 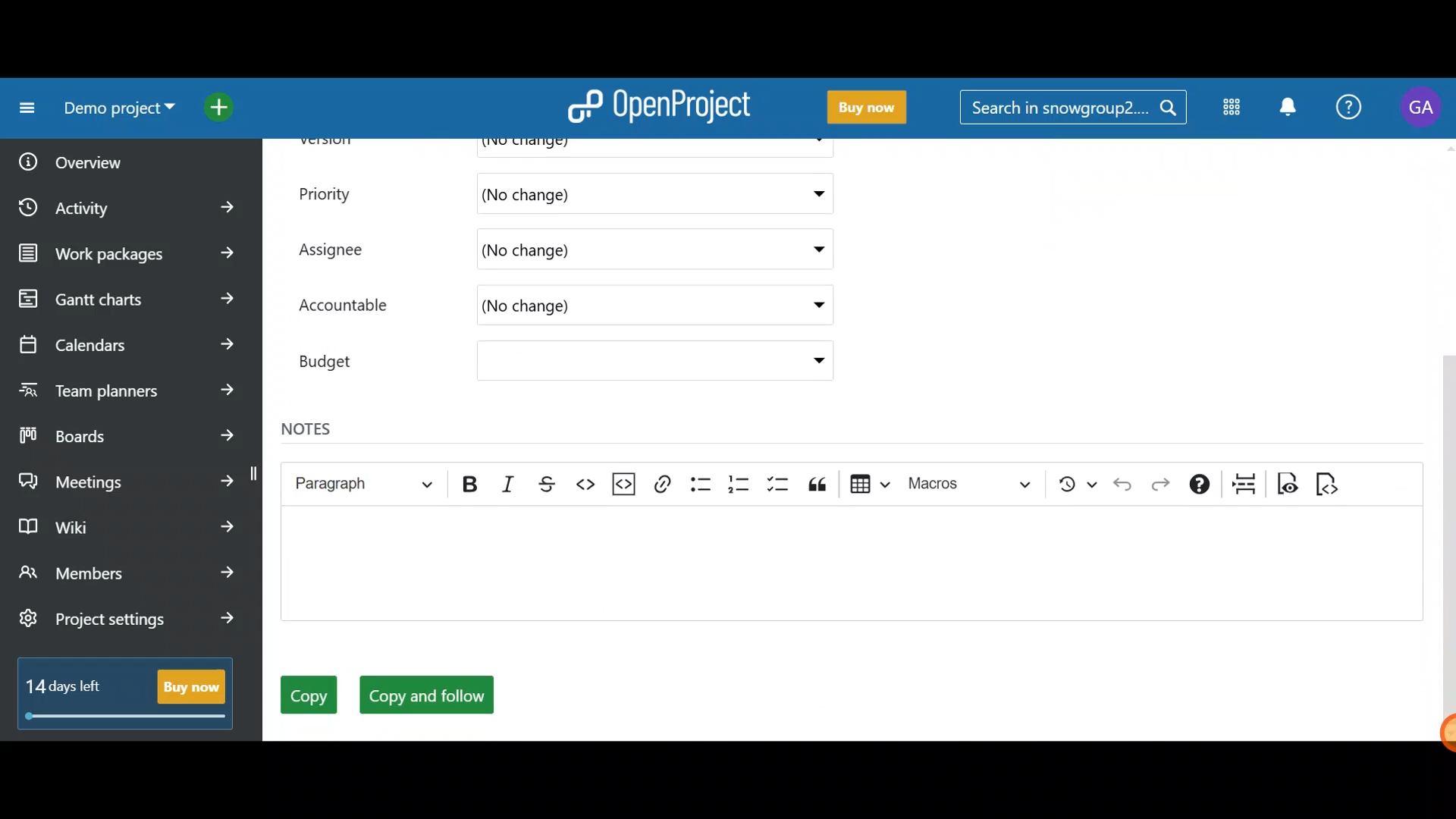 I want to click on Buy now, so click(x=860, y=108).